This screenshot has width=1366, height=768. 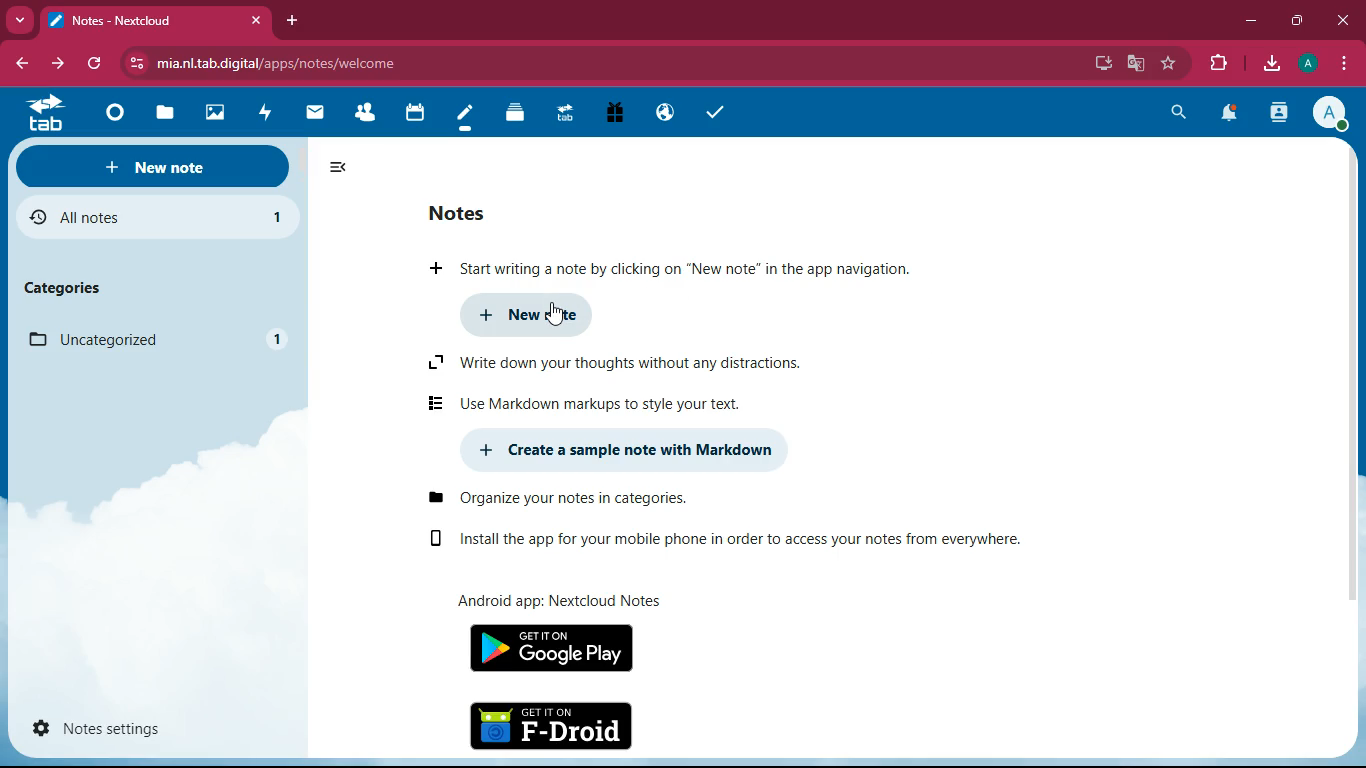 What do you see at coordinates (713, 111) in the screenshot?
I see `check` at bounding box center [713, 111].